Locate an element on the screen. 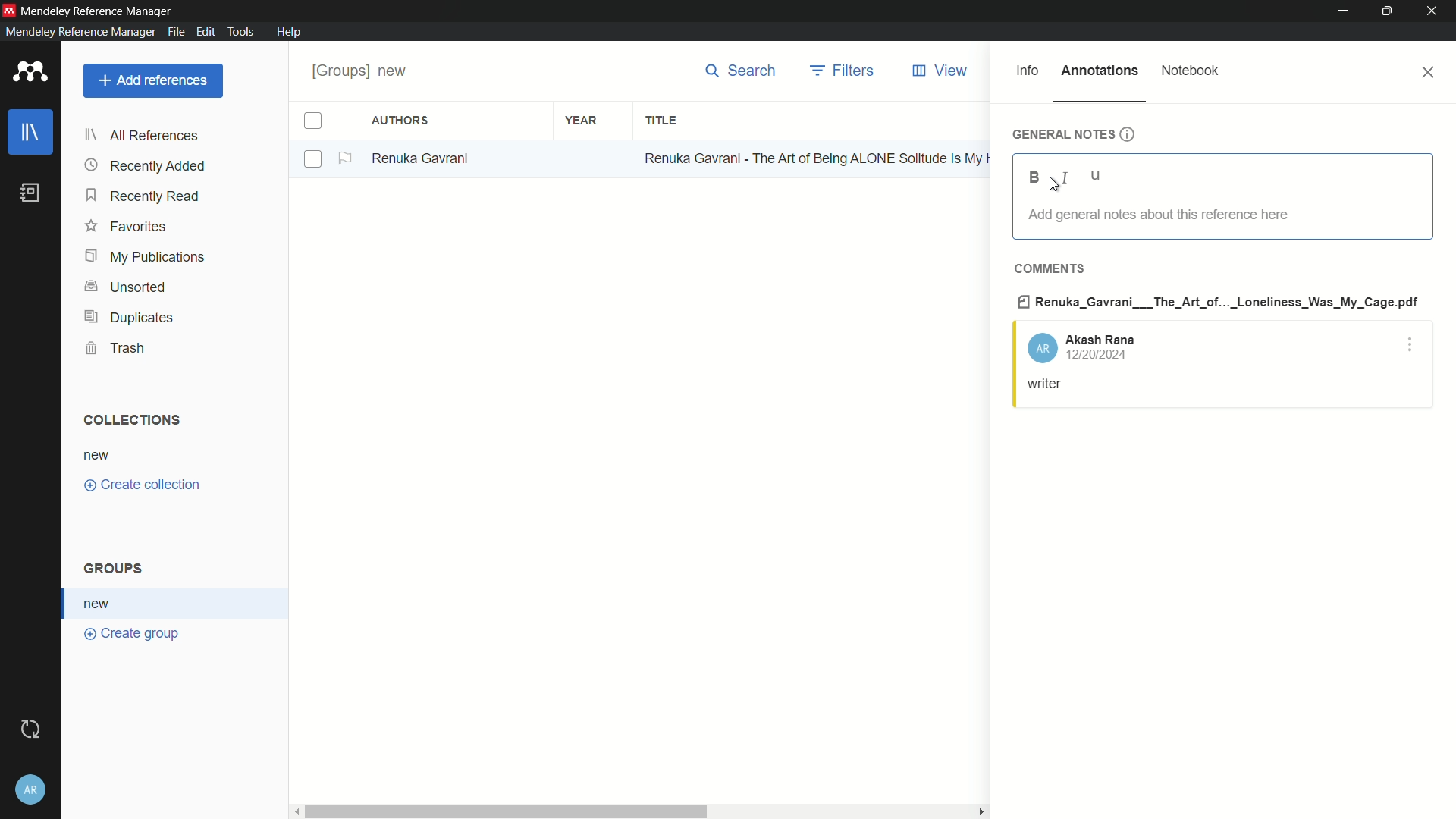 The width and height of the screenshot is (1456, 819). groups new is located at coordinates (365, 71).